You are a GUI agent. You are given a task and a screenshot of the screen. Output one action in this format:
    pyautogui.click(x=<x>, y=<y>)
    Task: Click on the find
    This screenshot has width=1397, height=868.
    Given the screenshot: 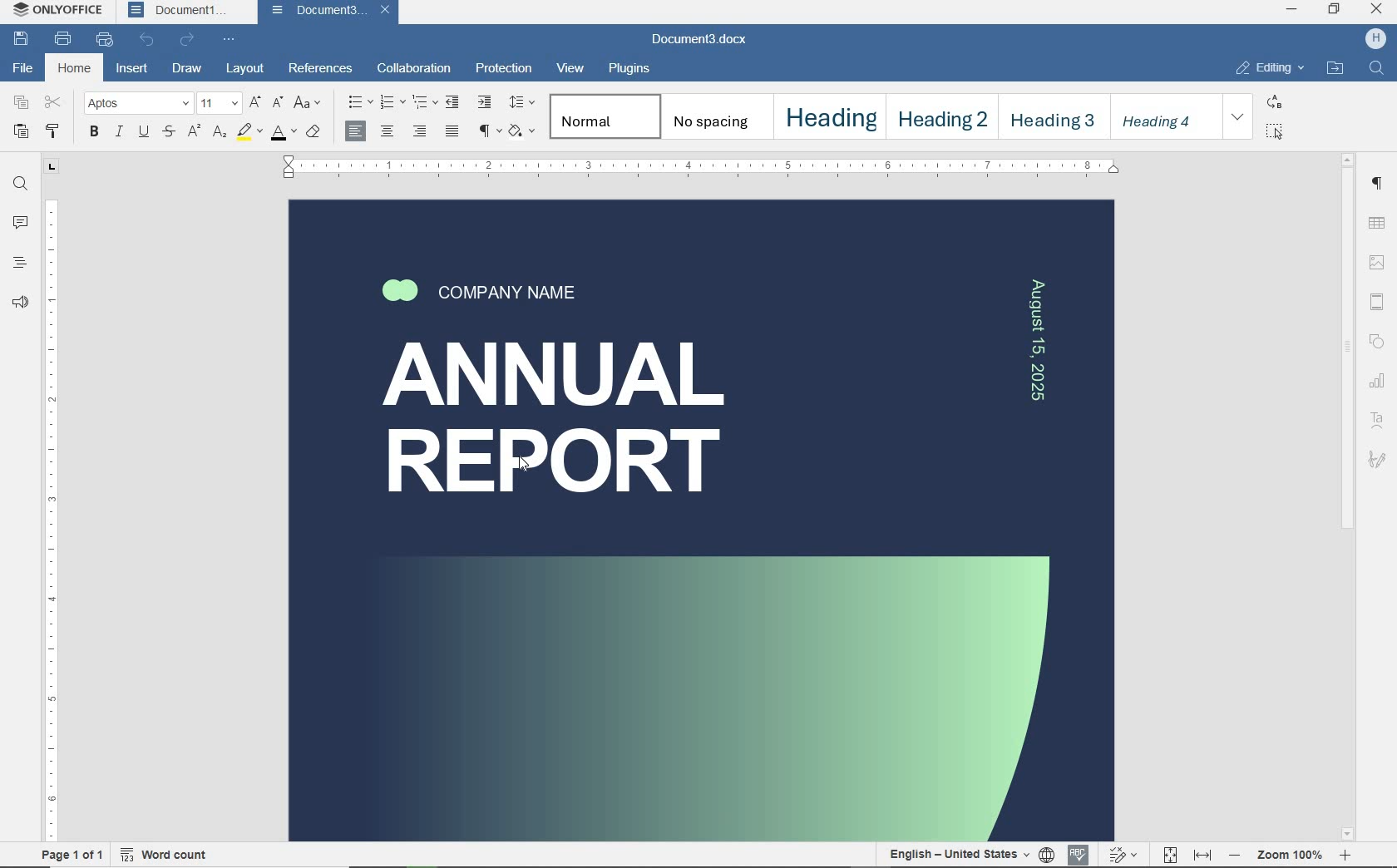 What is the action you would take?
    pyautogui.click(x=21, y=186)
    